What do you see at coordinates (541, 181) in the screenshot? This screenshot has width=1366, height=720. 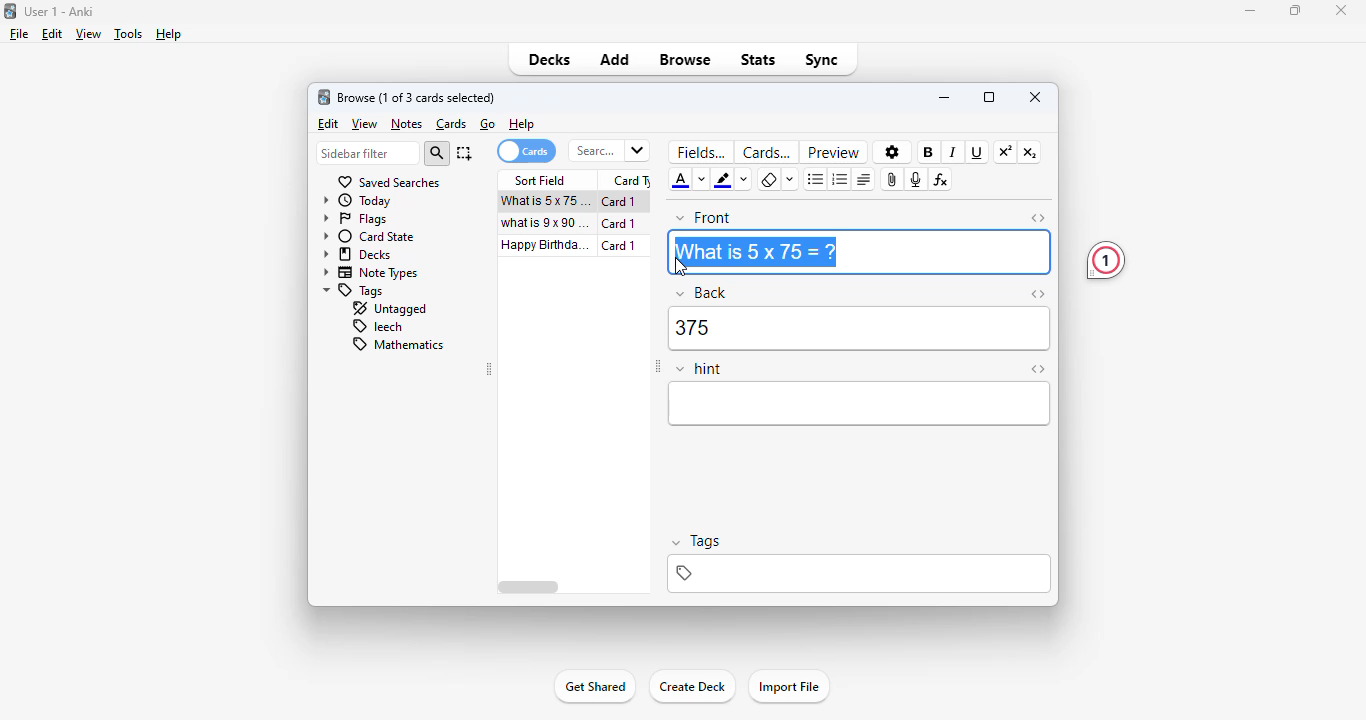 I see `sort field` at bounding box center [541, 181].